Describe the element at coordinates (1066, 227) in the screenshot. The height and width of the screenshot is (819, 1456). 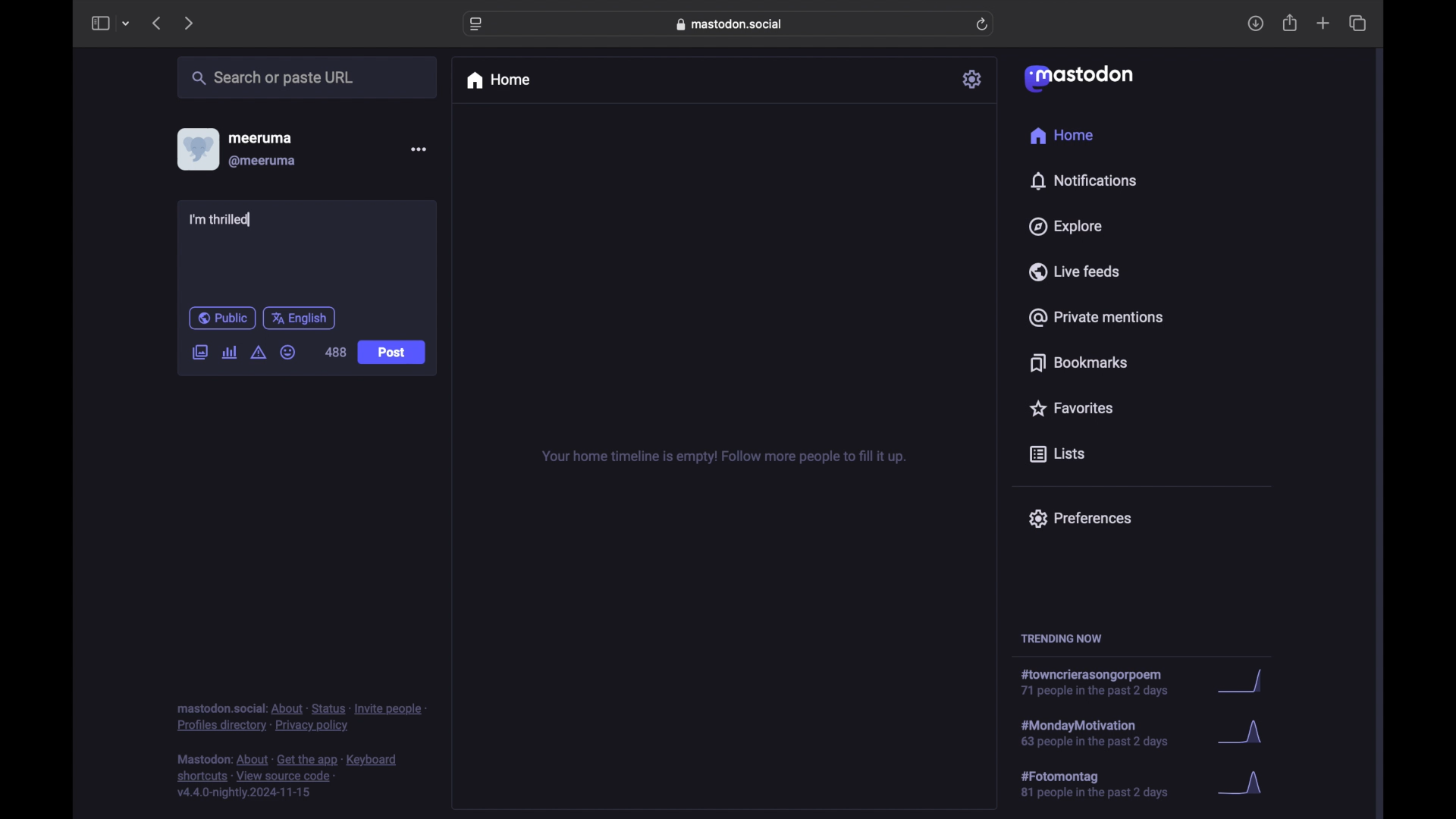
I see `explore` at that location.